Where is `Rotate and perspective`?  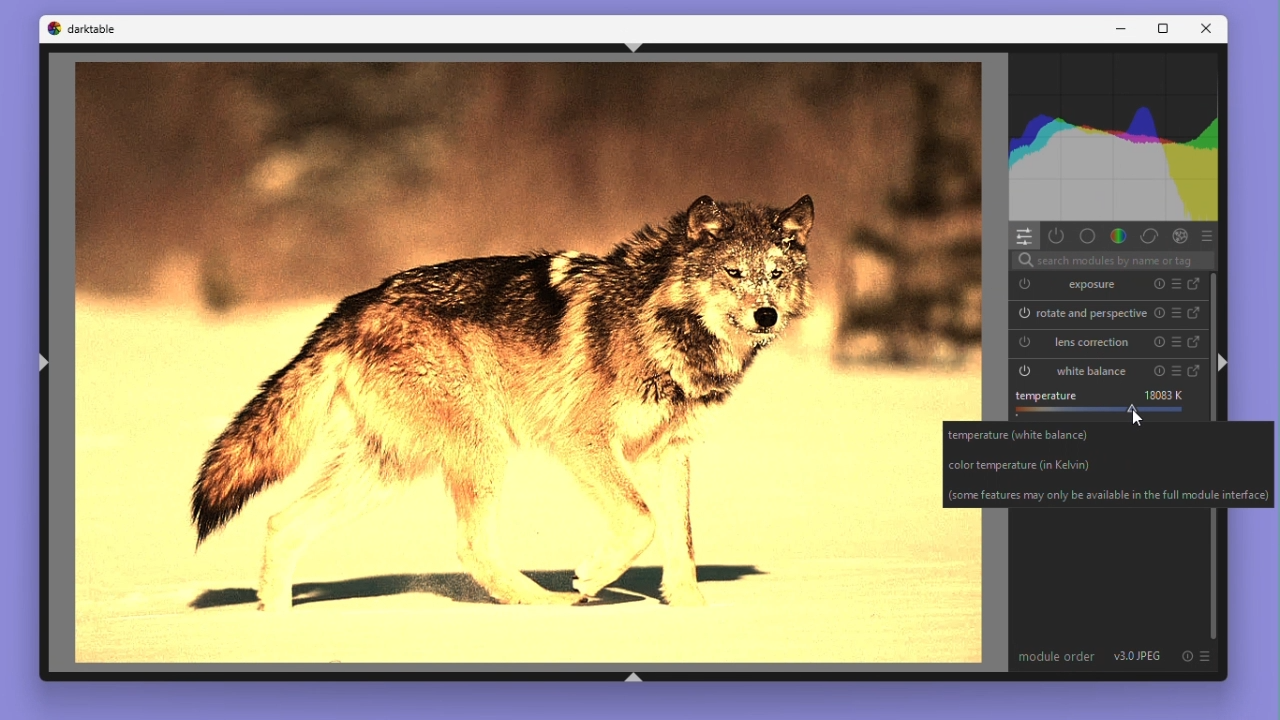 Rotate and perspective is located at coordinates (1083, 314).